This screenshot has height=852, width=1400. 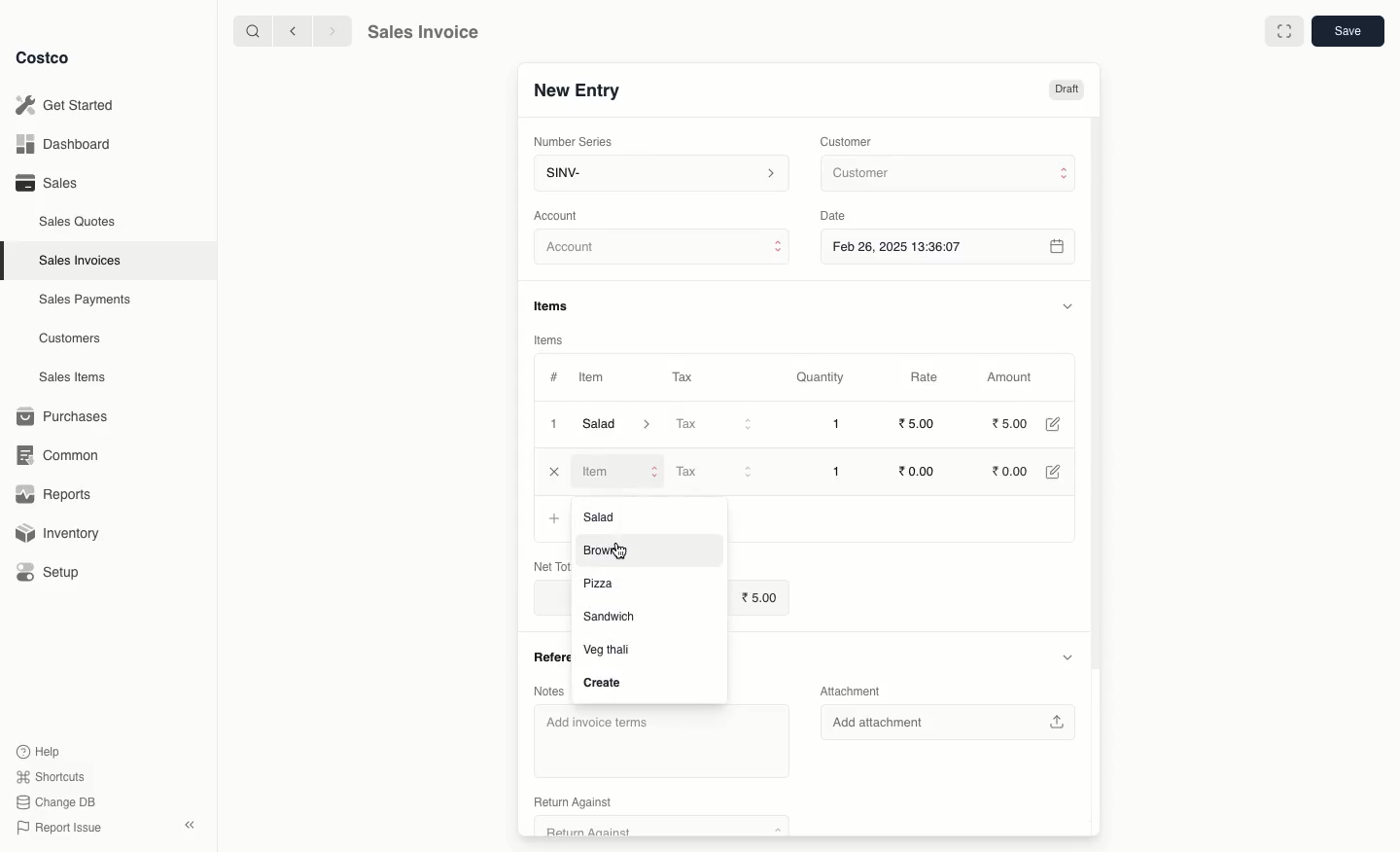 What do you see at coordinates (946, 174) in the screenshot?
I see `Customer` at bounding box center [946, 174].